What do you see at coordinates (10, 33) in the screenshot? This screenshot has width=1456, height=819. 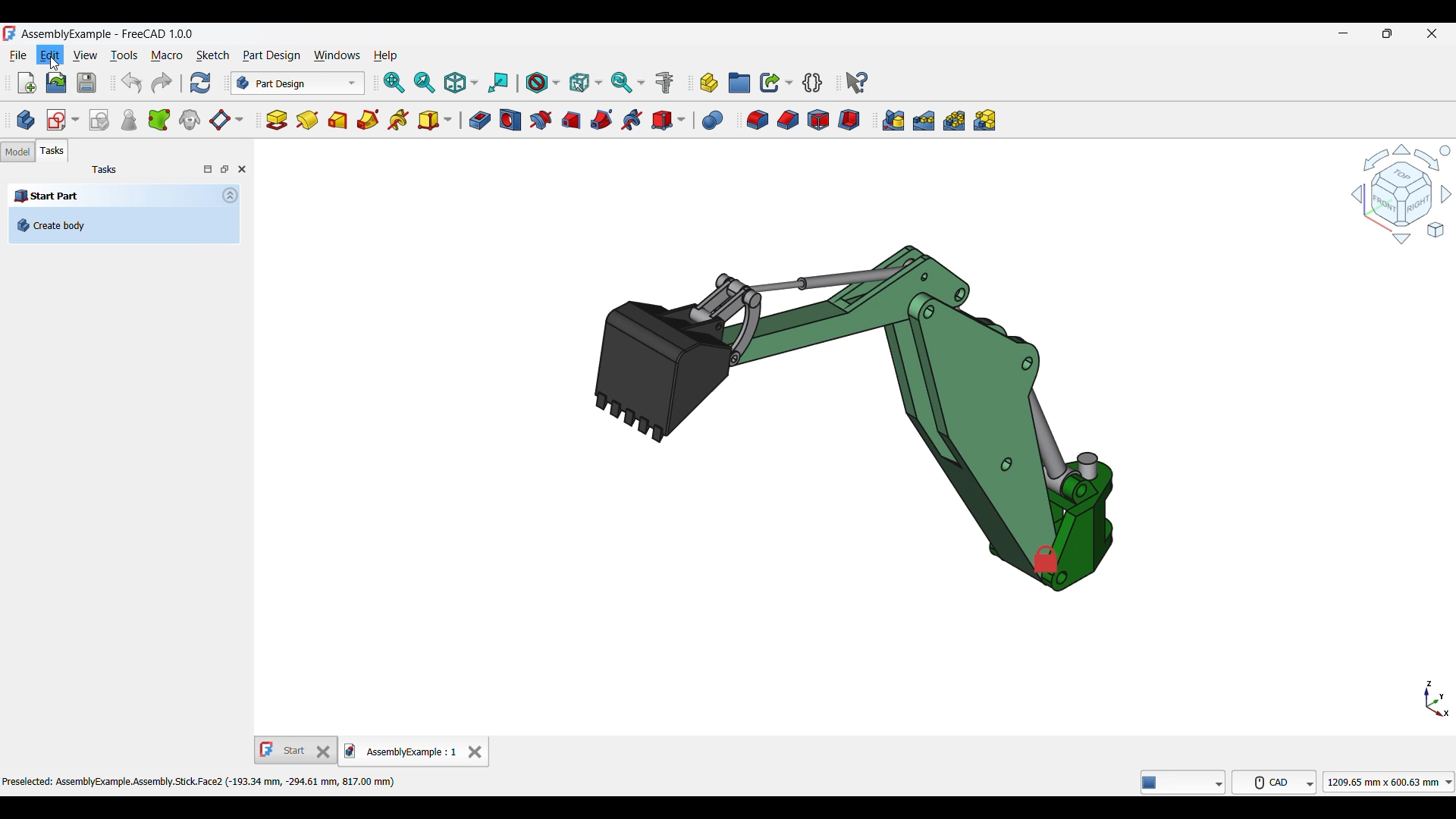 I see `Software logo` at bounding box center [10, 33].